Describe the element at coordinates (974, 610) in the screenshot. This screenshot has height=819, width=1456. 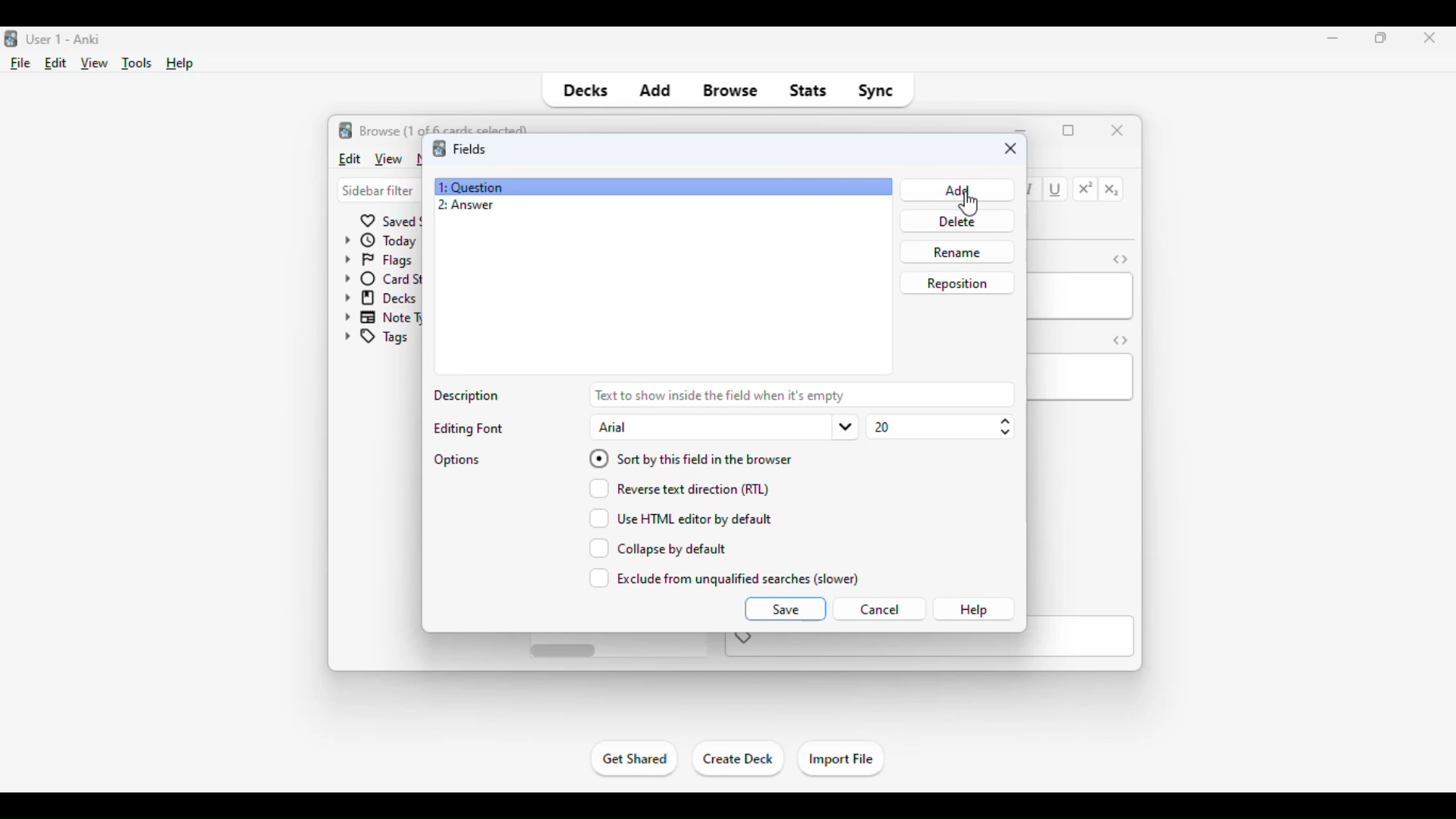
I see `help` at that location.